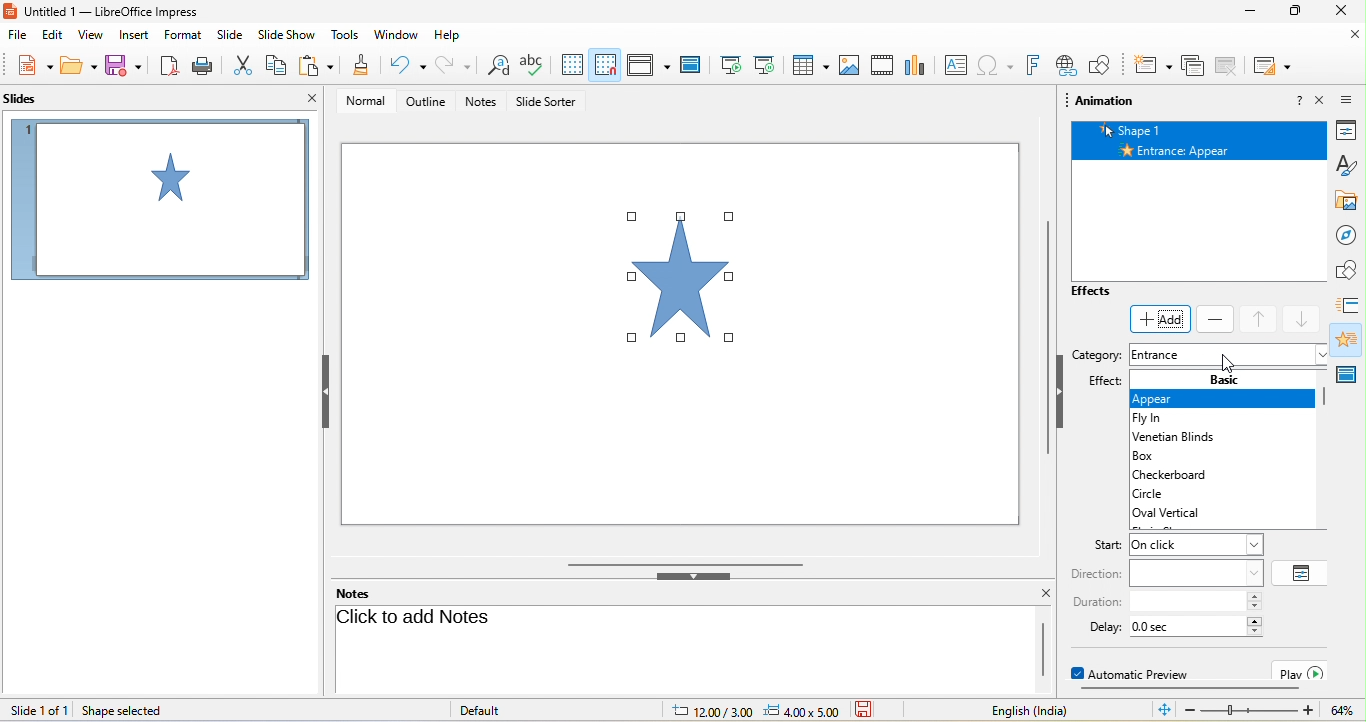  Describe the element at coordinates (448, 36) in the screenshot. I see `help` at that location.